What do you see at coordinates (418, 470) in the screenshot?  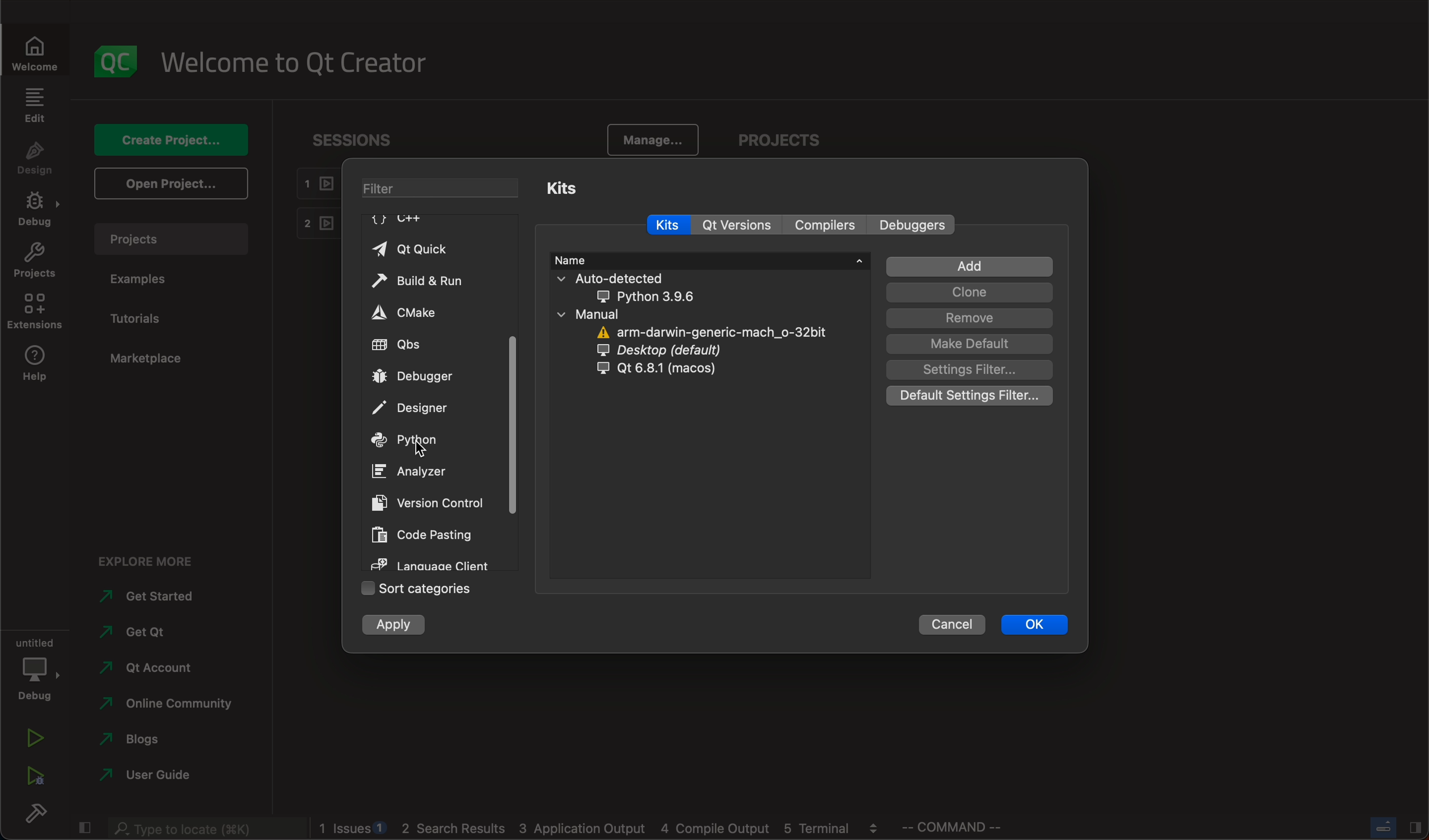 I see `analyzer` at bounding box center [418, 470].